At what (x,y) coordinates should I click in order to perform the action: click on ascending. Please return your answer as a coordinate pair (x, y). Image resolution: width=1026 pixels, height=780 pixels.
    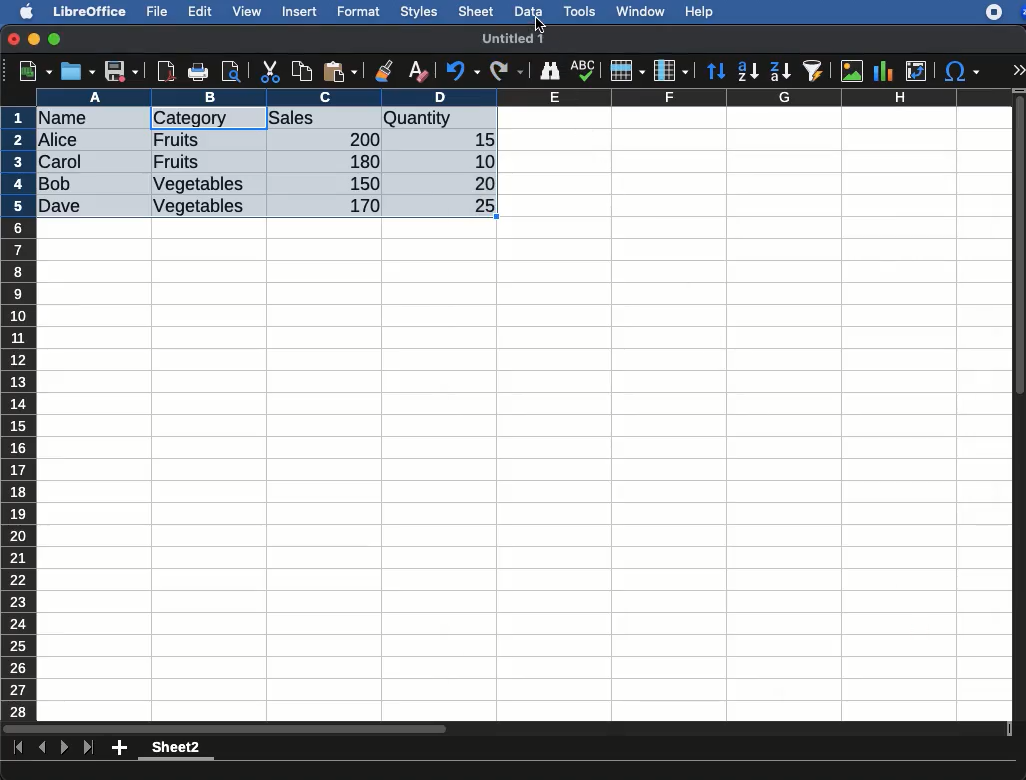
    Looking at the image, I should click on (748, 70).